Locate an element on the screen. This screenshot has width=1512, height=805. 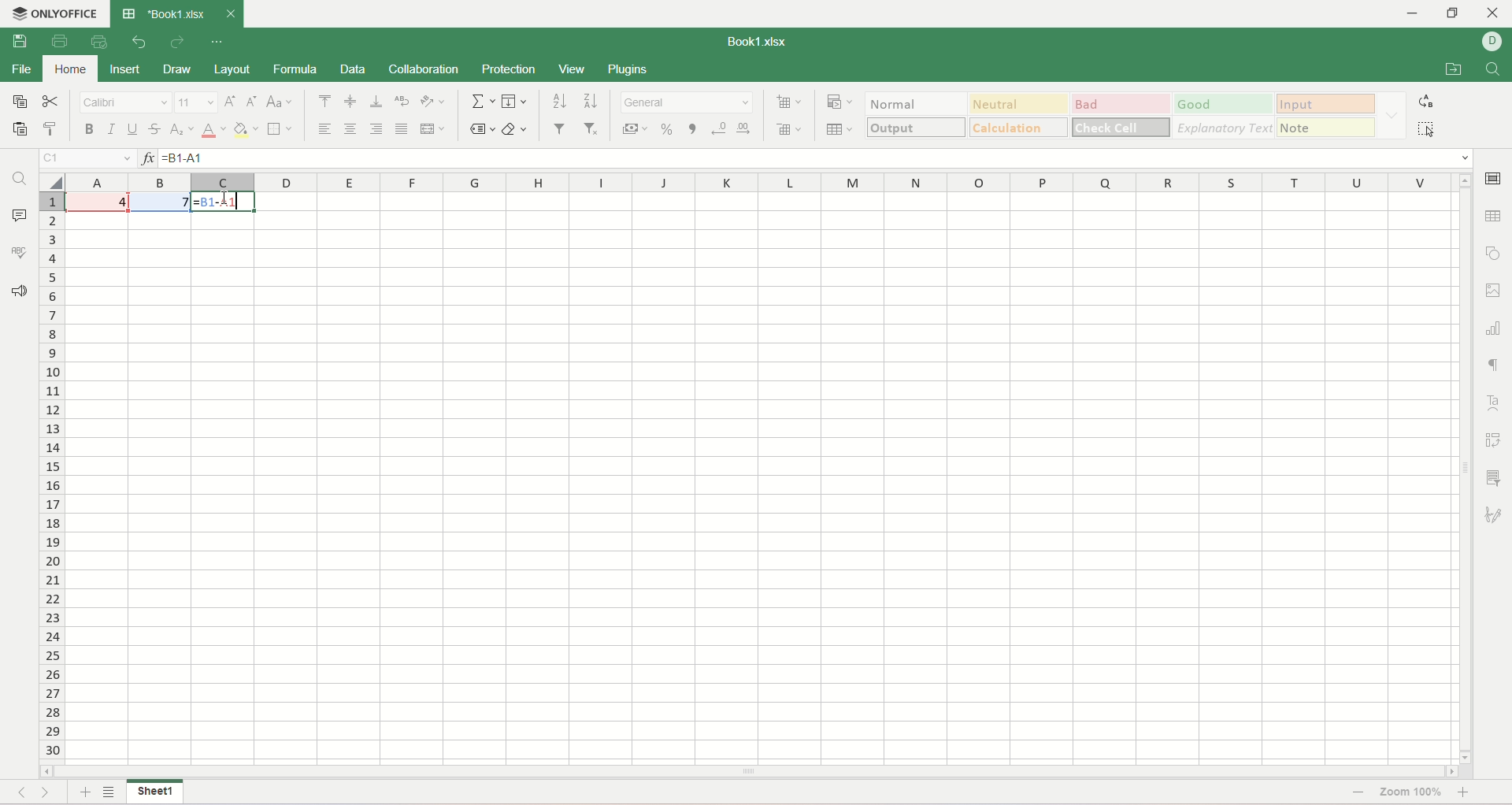
merge and center is located at coordinates (432, 129).